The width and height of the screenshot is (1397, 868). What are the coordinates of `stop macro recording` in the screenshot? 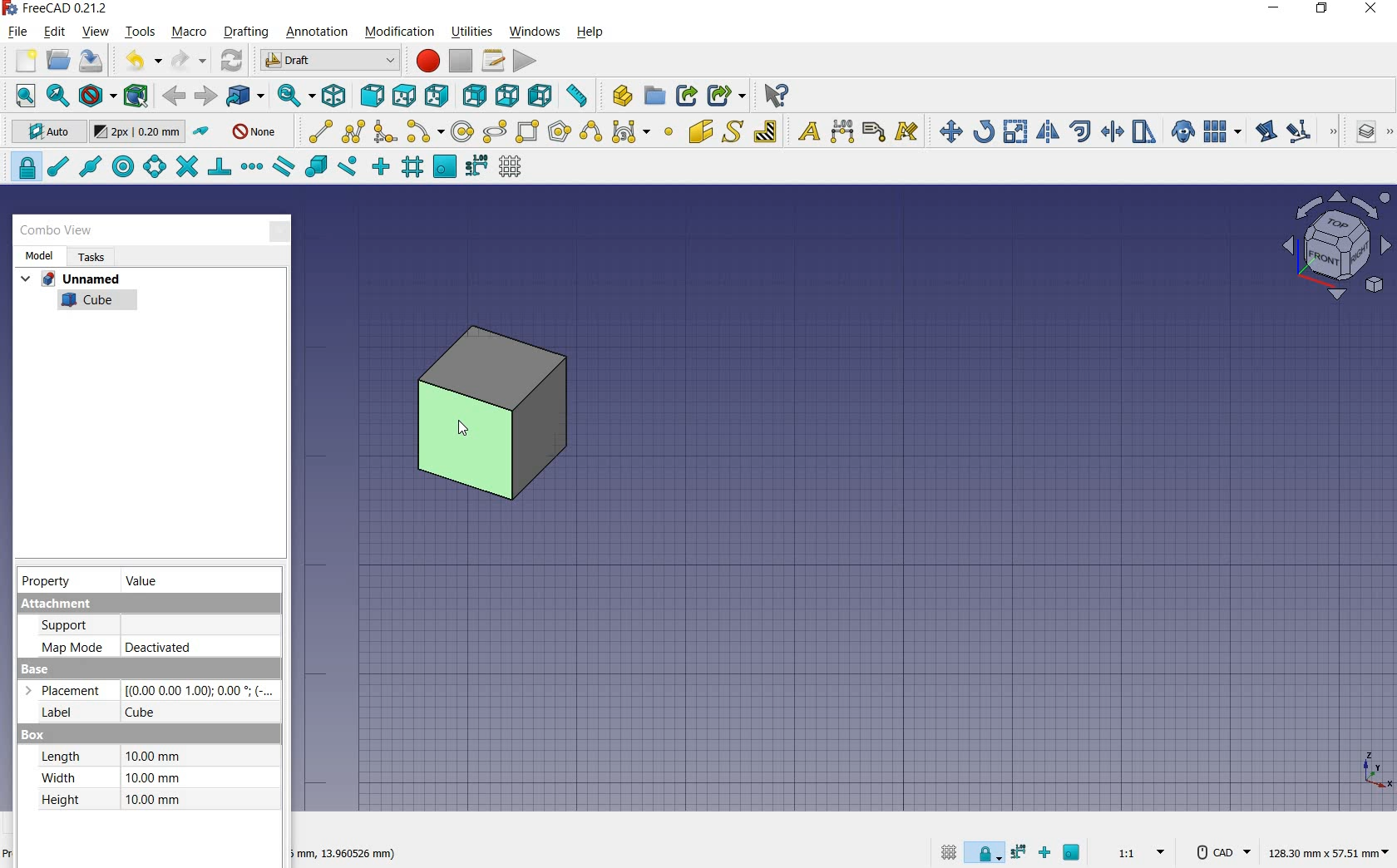 It's located at (458, 62).